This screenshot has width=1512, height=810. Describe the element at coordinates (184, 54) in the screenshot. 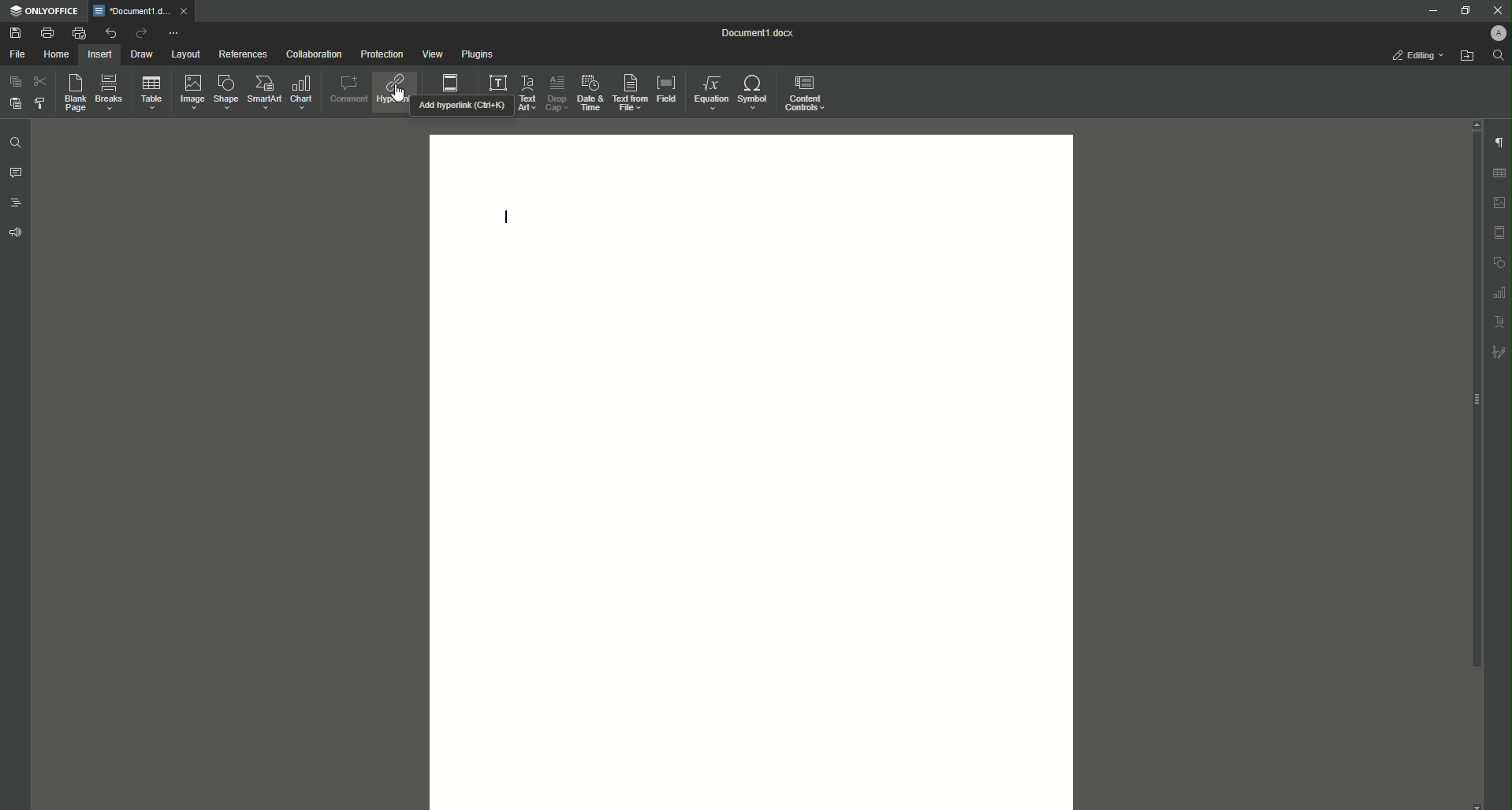

I see `Layout` at that location.